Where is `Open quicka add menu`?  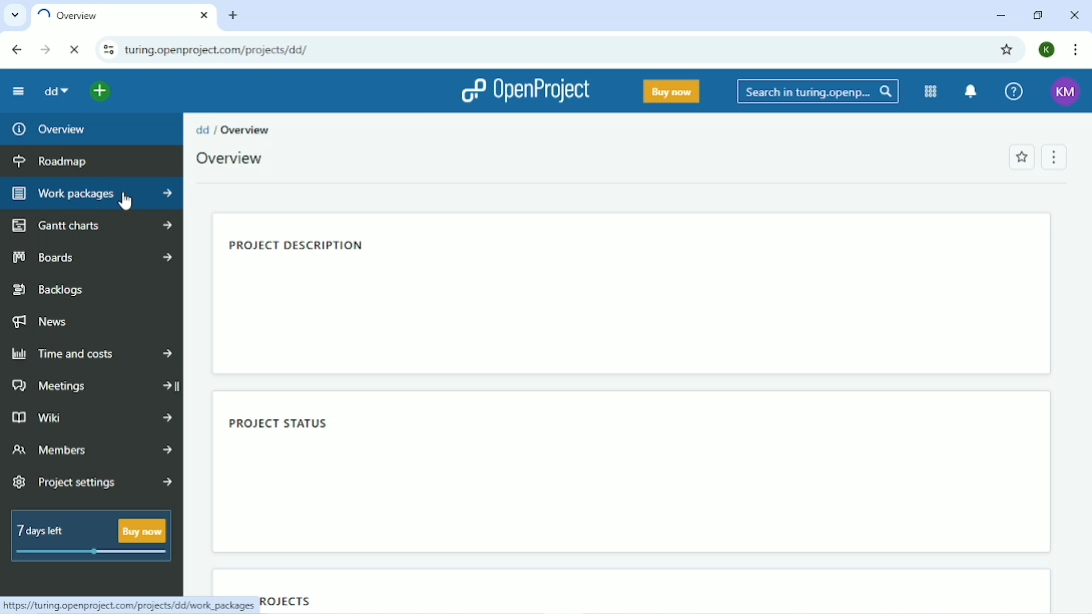 Open quicka add menu is located at coordinates (160, 93).